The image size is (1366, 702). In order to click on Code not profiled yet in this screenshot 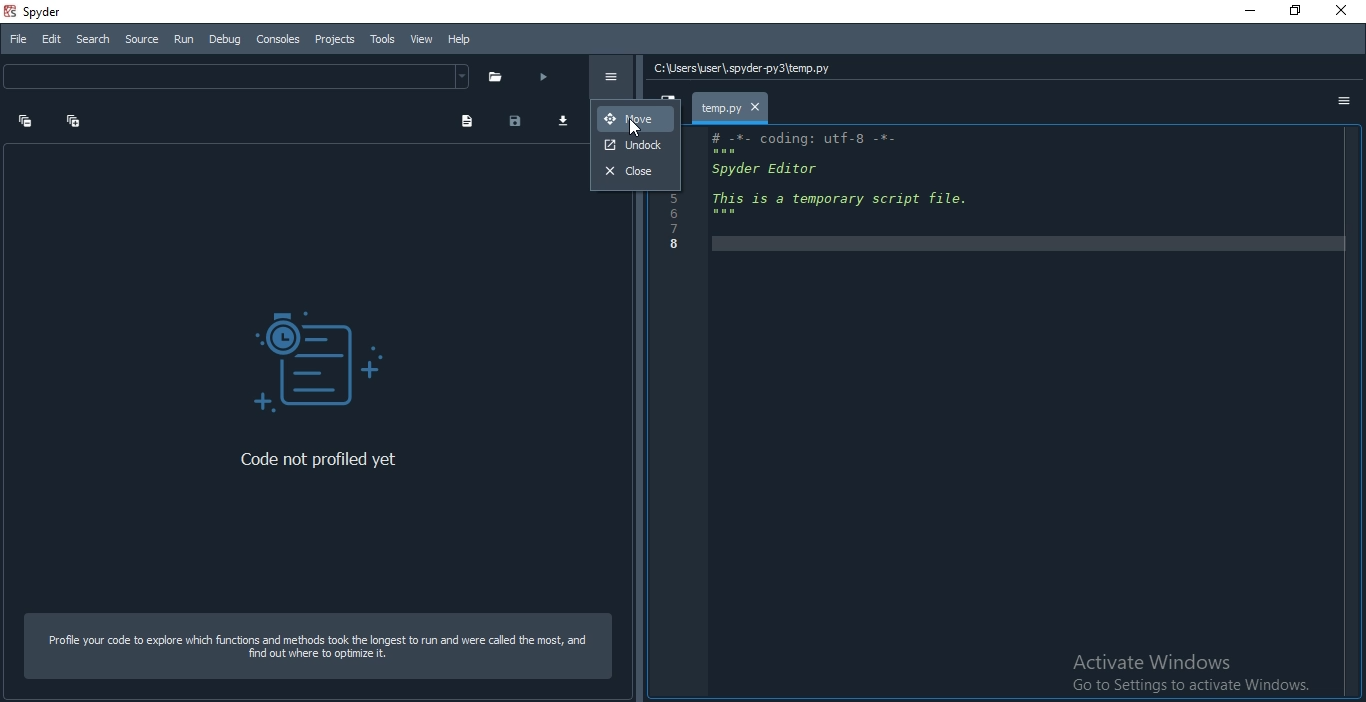, I will do `click(319, 461)`.